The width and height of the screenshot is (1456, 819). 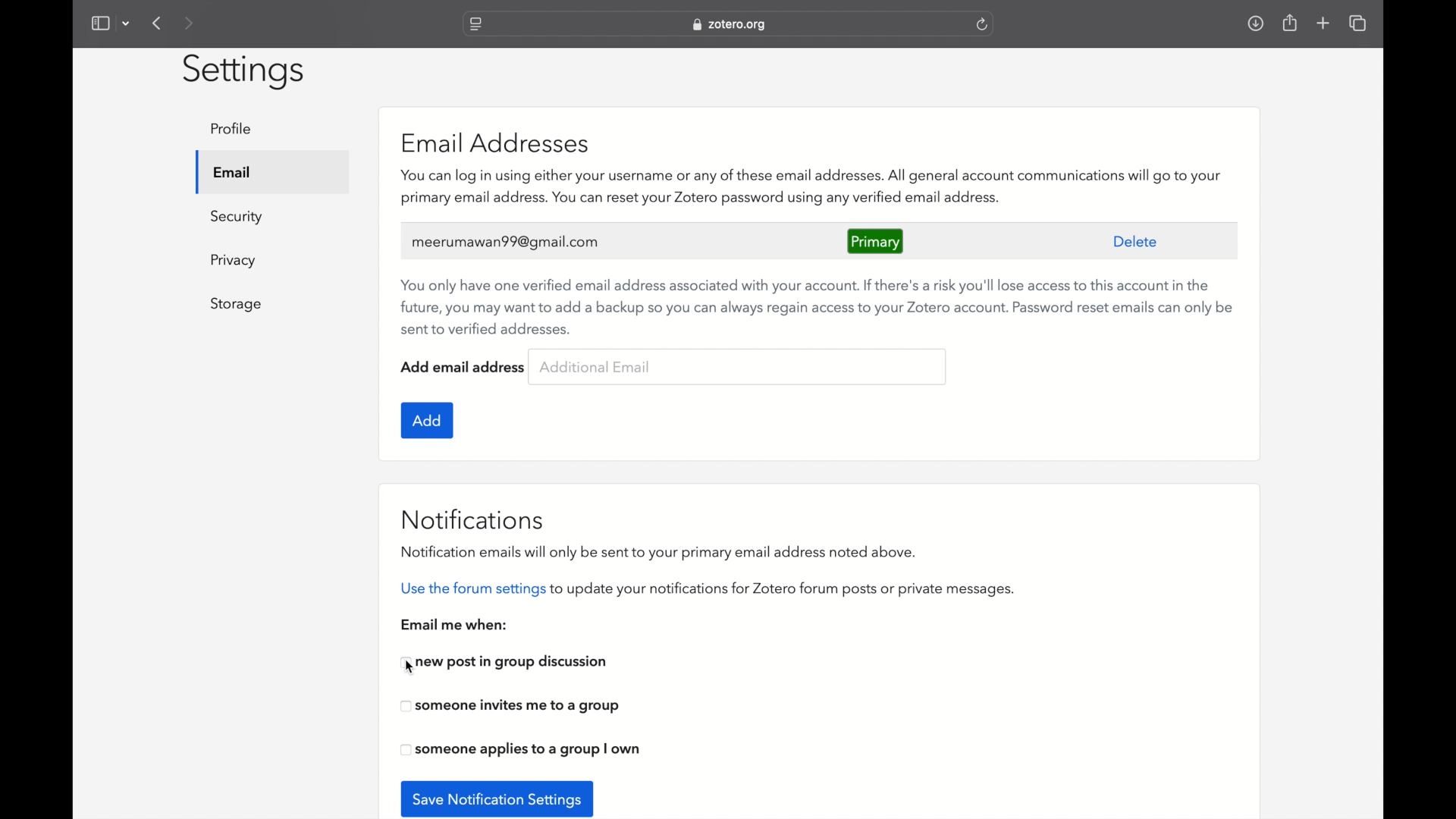 I want to click on dropdown, so click(x=127, y=24).